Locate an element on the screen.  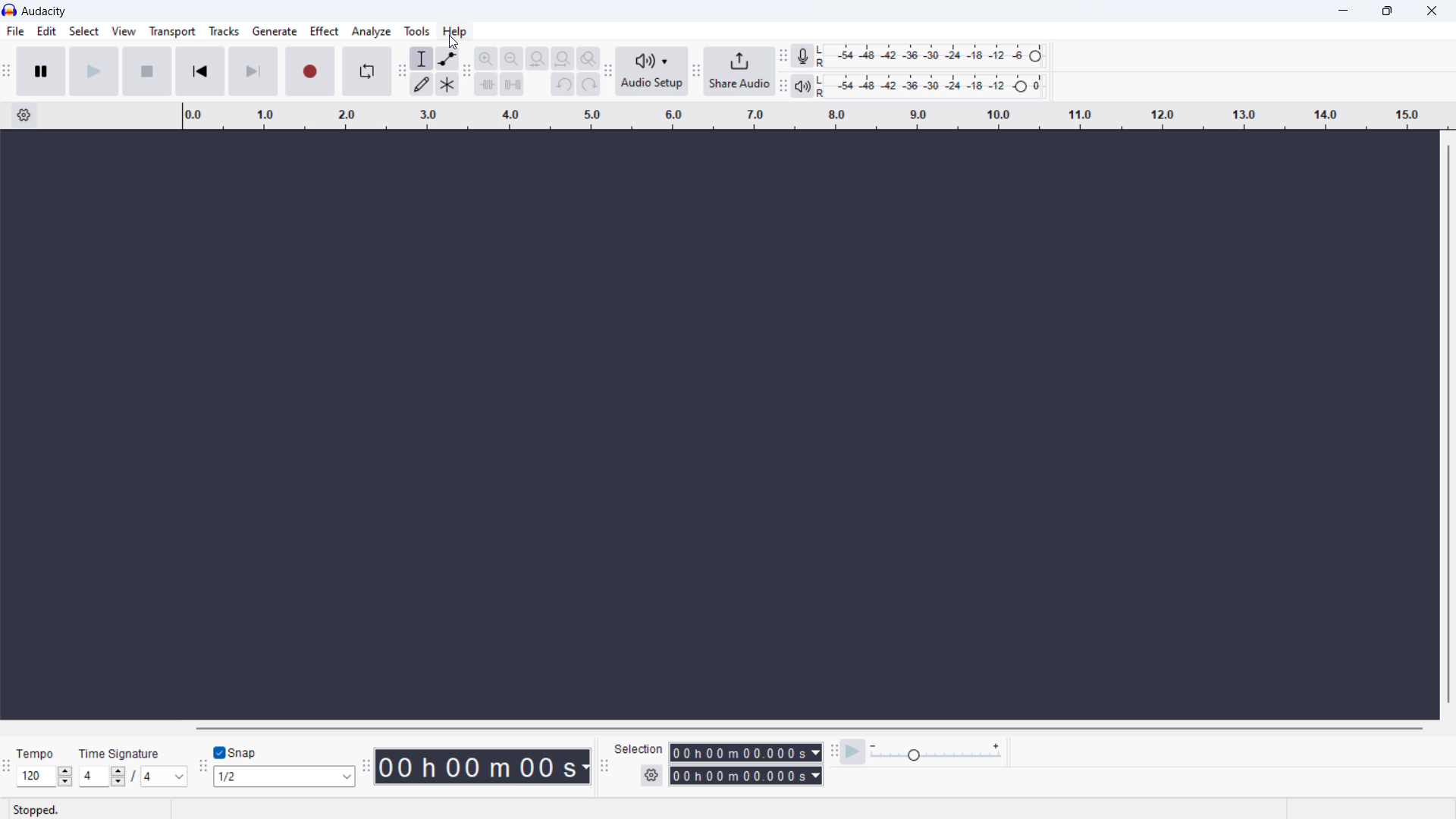
selection start is located at coordinates (745, 752).